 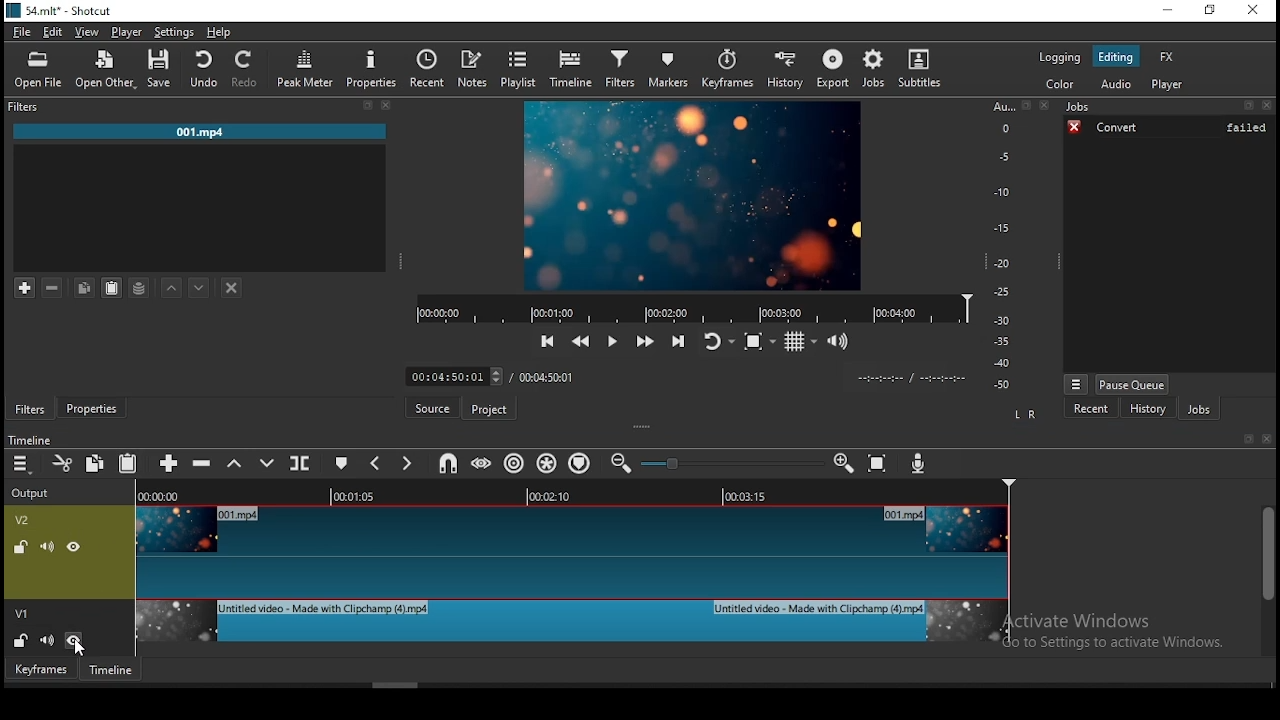 What do you see at coordinates (232, 287) in the screenshot?
I see `deselect filter` at bounding box center [232, 287].